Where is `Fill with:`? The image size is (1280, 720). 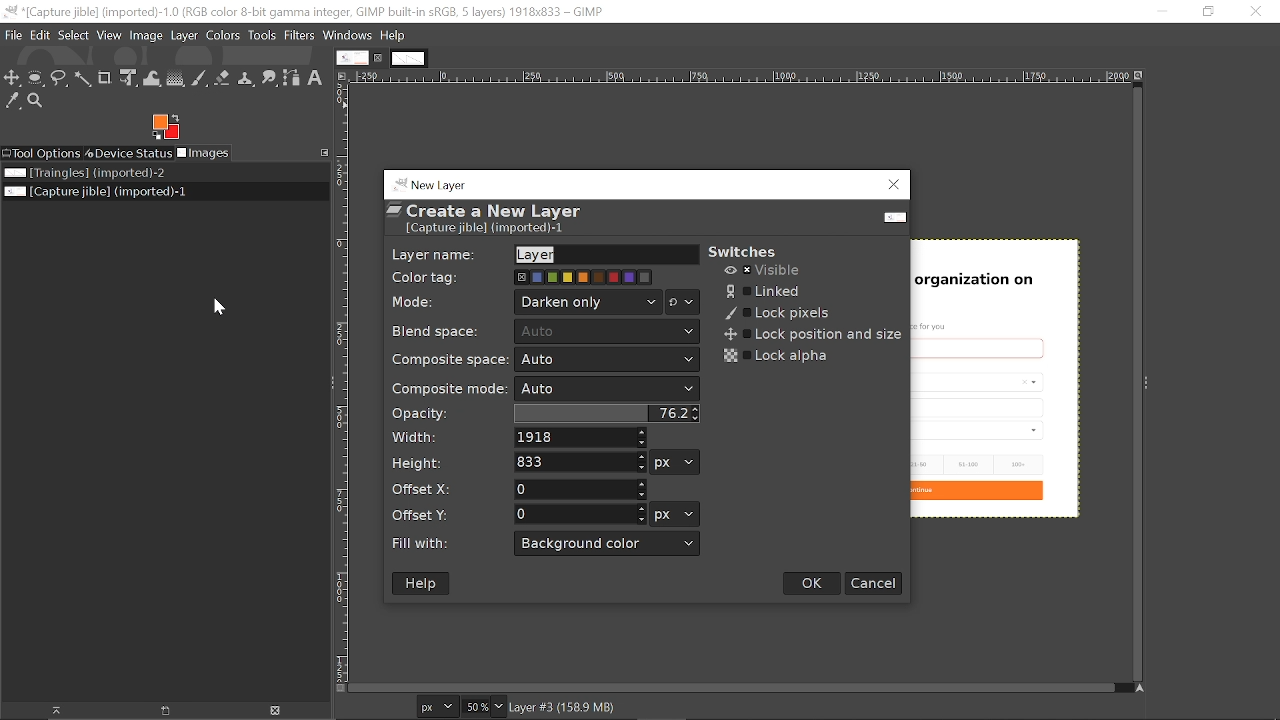
Fill with: is located at coordinates (428, 542).